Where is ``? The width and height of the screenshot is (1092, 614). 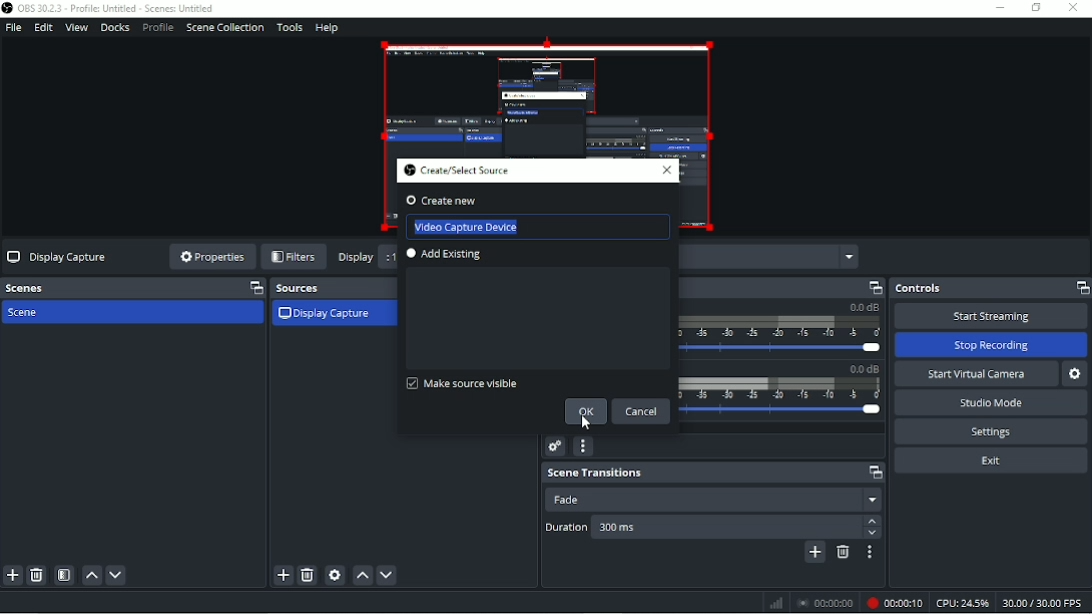
 is located at coordinates (725, 527).